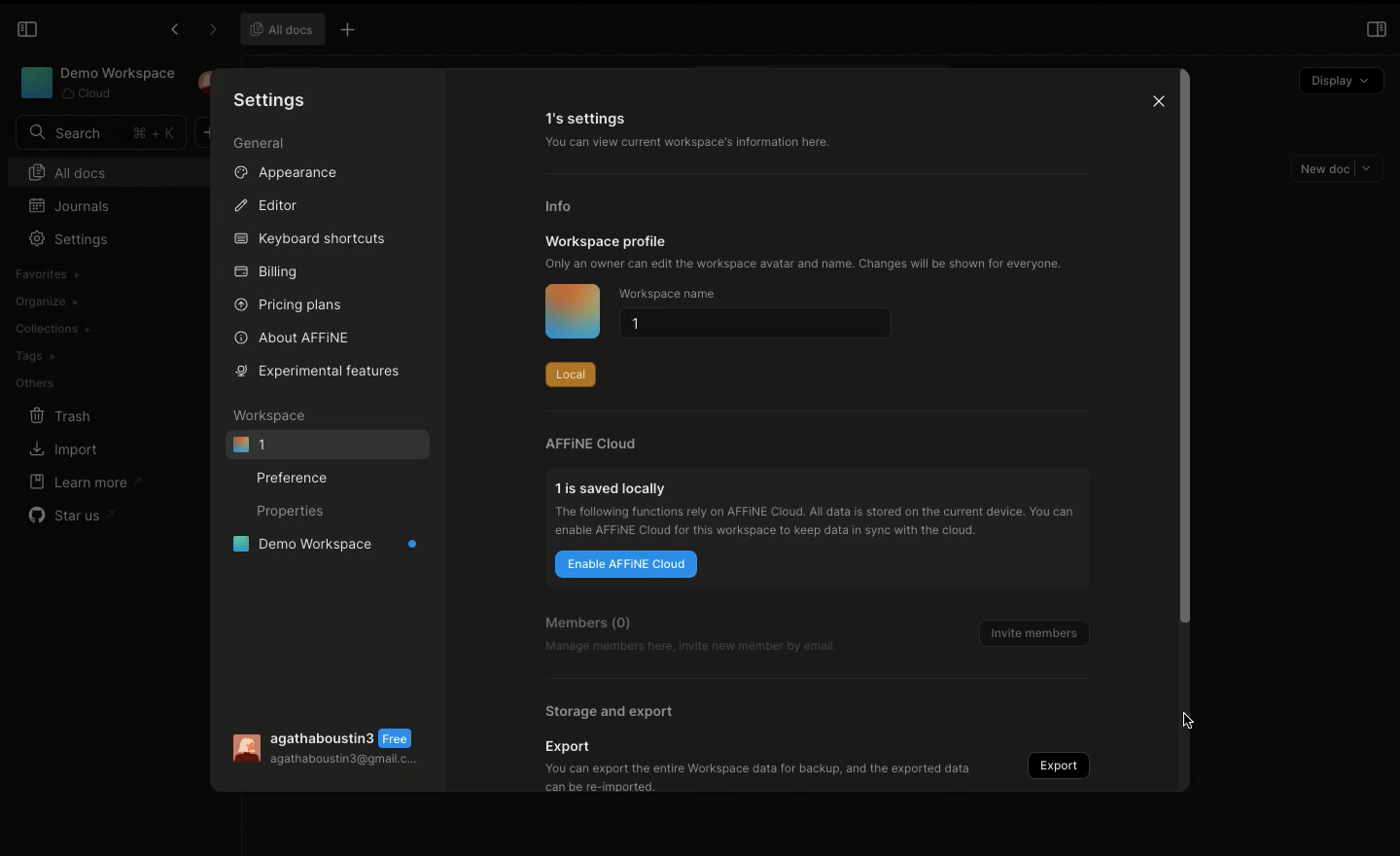 This screenshot has height=856, width=1400. What do you see at coordinates (74, 239) in the screenshot?
I see `Settings` at bounding box center [74, 239].